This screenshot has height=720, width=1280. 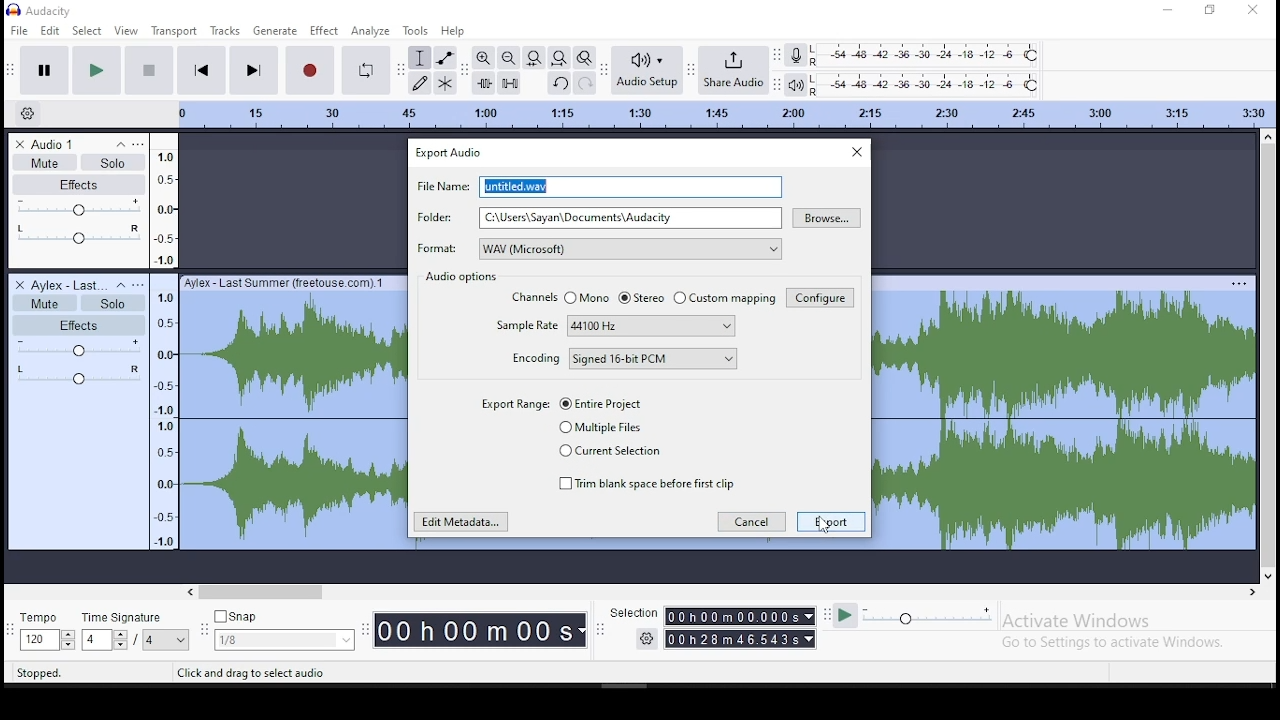 I want to click on mute, so click(x=44, y=161).